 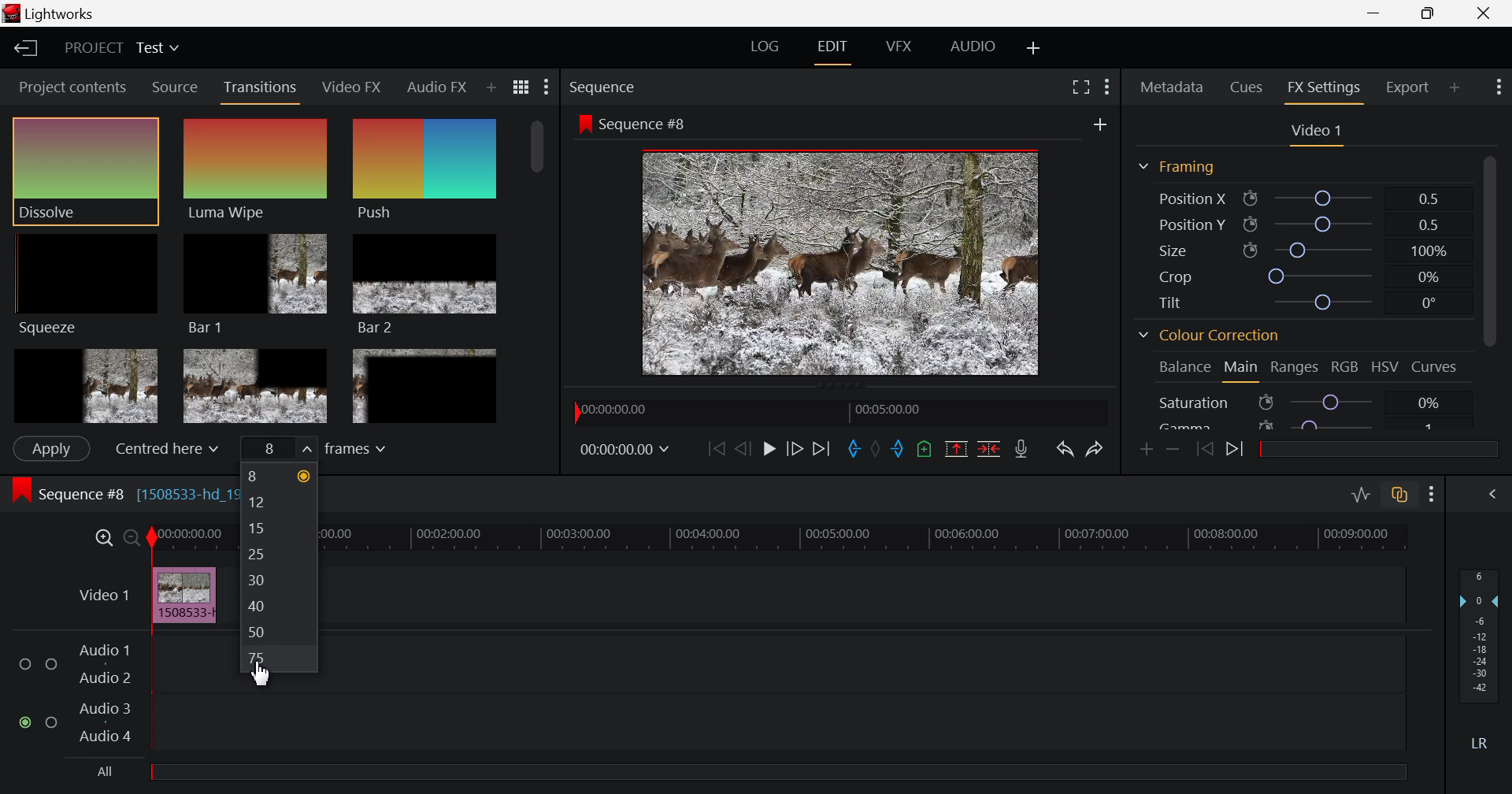 What do you see at coordinates (1097, 124) in the screenshot?
I see `Add` at bounding box center [1097, 124].